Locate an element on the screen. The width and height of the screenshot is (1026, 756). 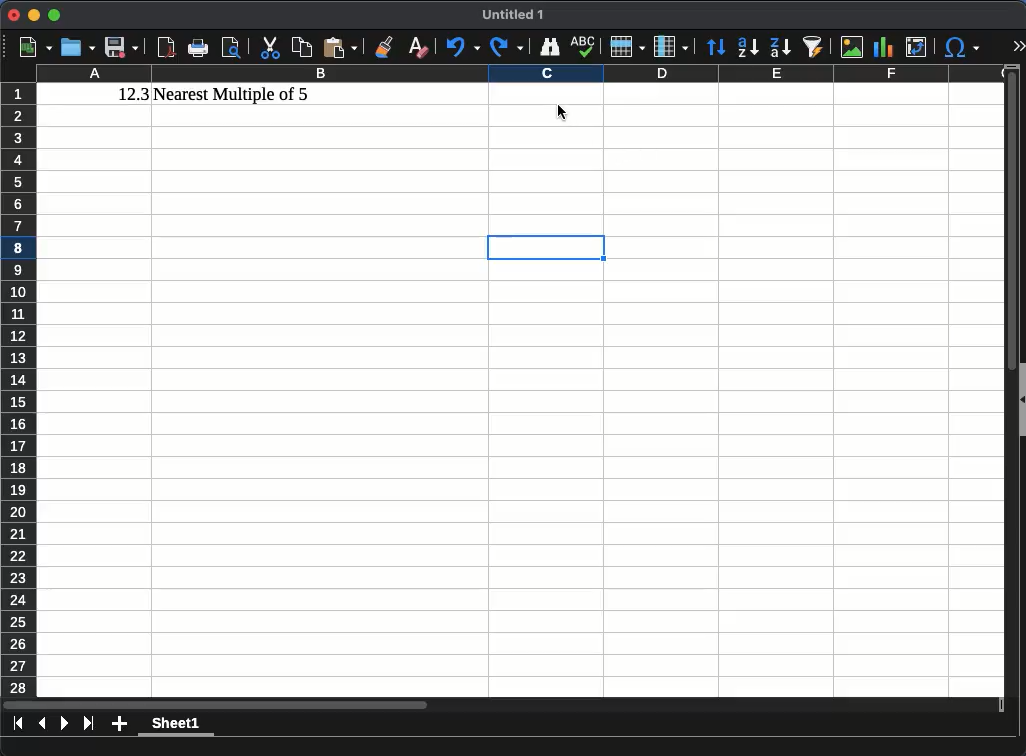
print preview is located at coordinates (233, 47).